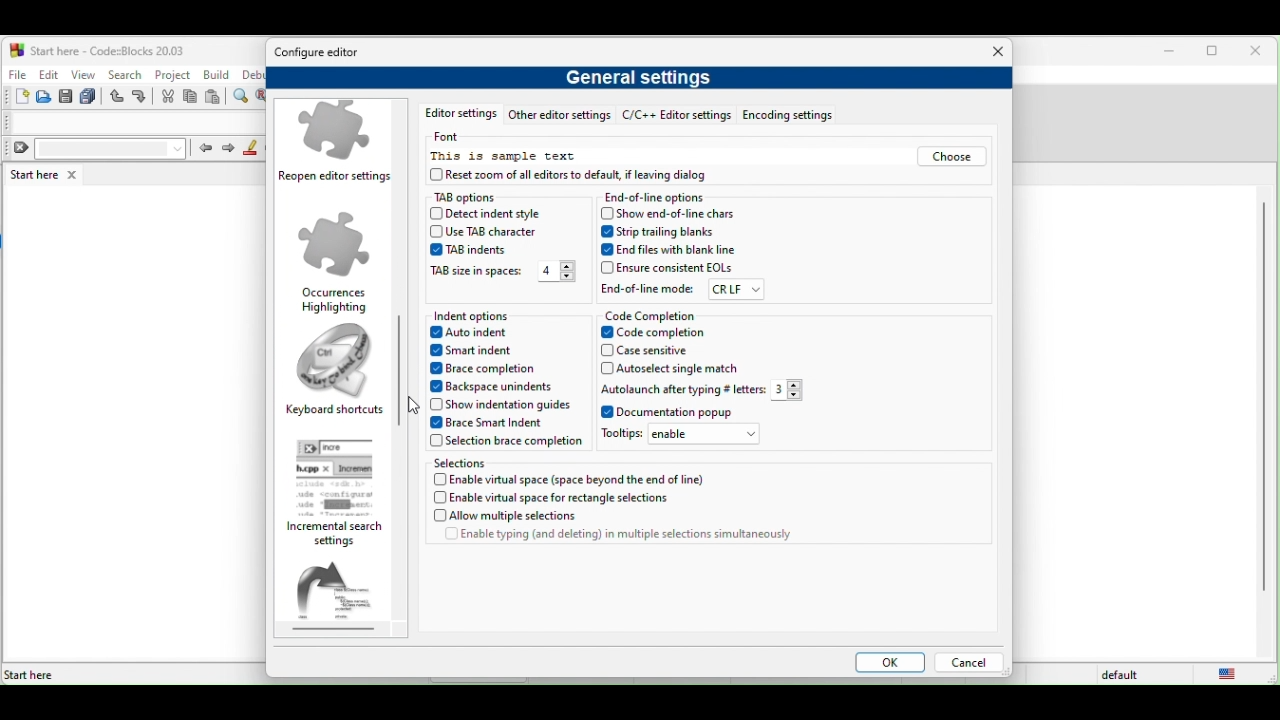  What do you see at coordinates (797, 116) in the screenshot?
I see `encoding settings` at bounding box center [797, 116].